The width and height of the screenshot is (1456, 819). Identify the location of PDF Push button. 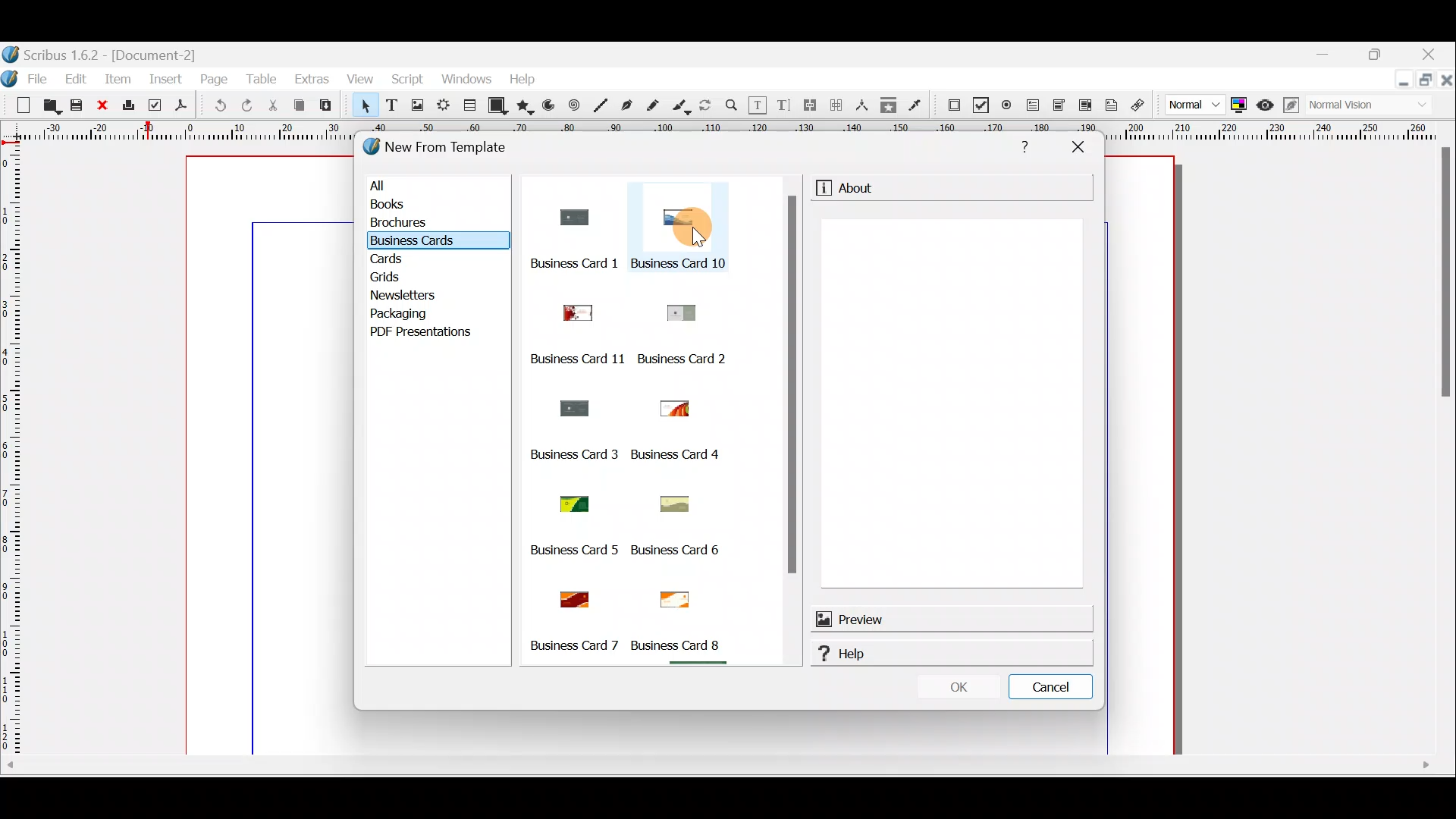
(953, 105).